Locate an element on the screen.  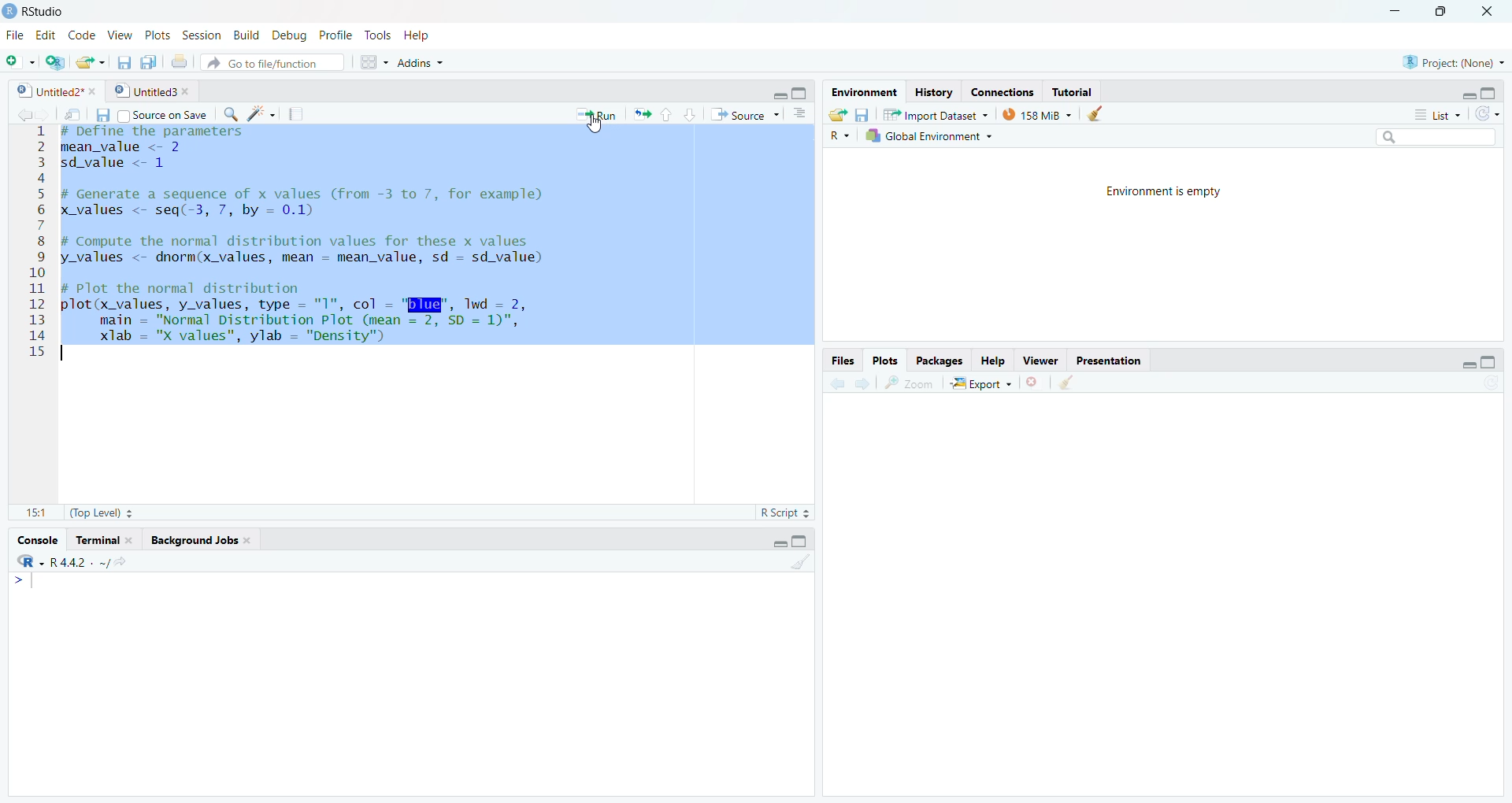
Go to file/function is located at coordinates (276, 62).